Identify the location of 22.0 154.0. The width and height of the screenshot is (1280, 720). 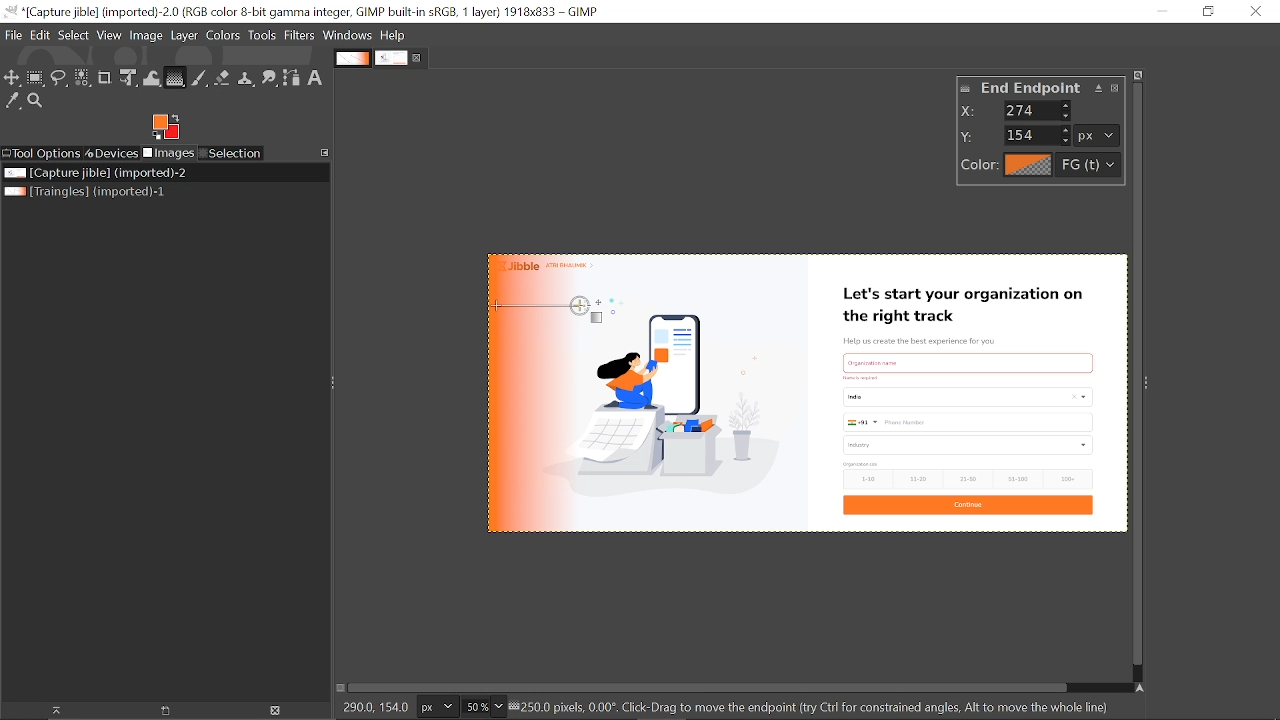
(383, 705).